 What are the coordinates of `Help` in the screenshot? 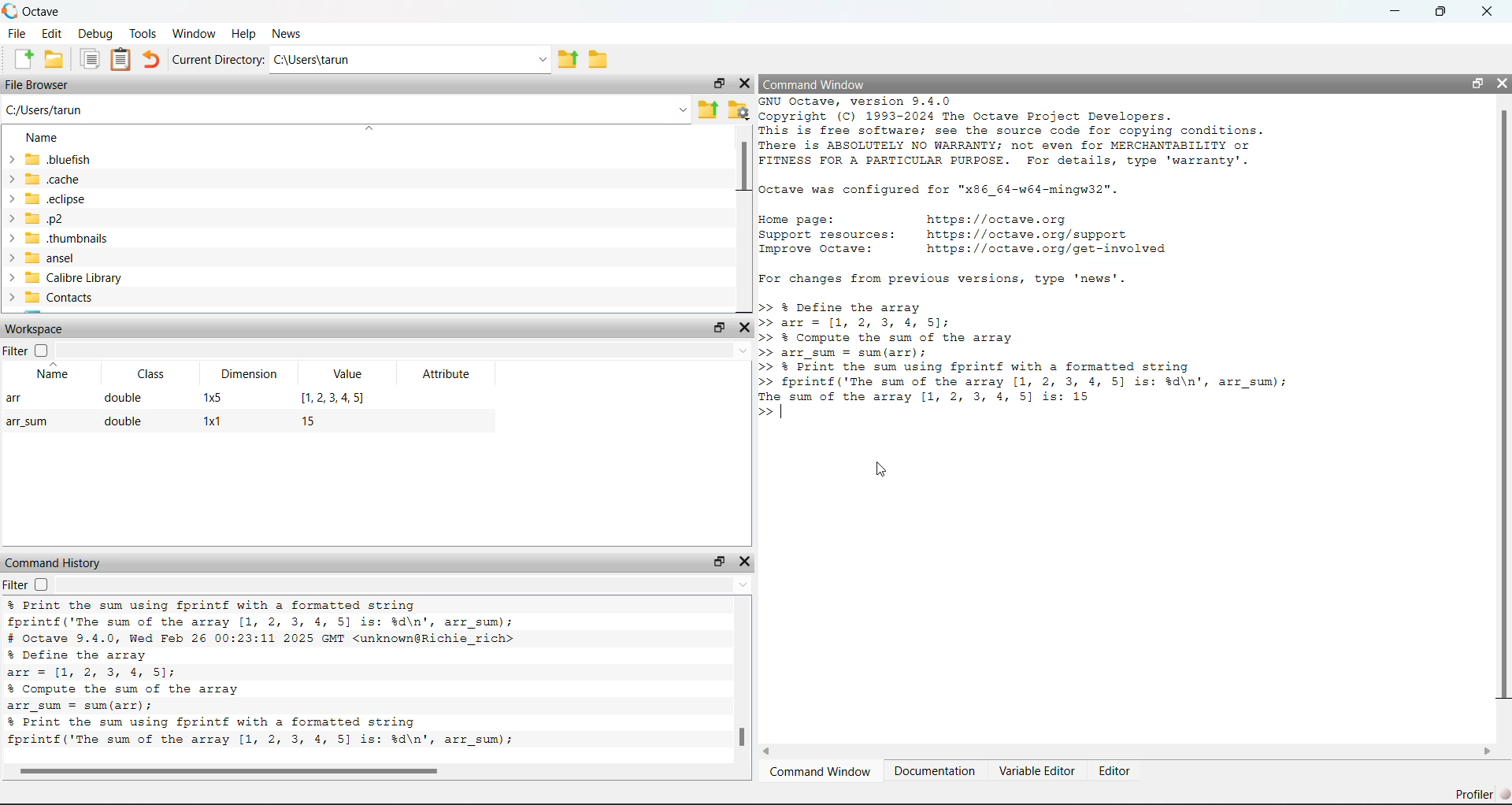 It's located at (243, 31).